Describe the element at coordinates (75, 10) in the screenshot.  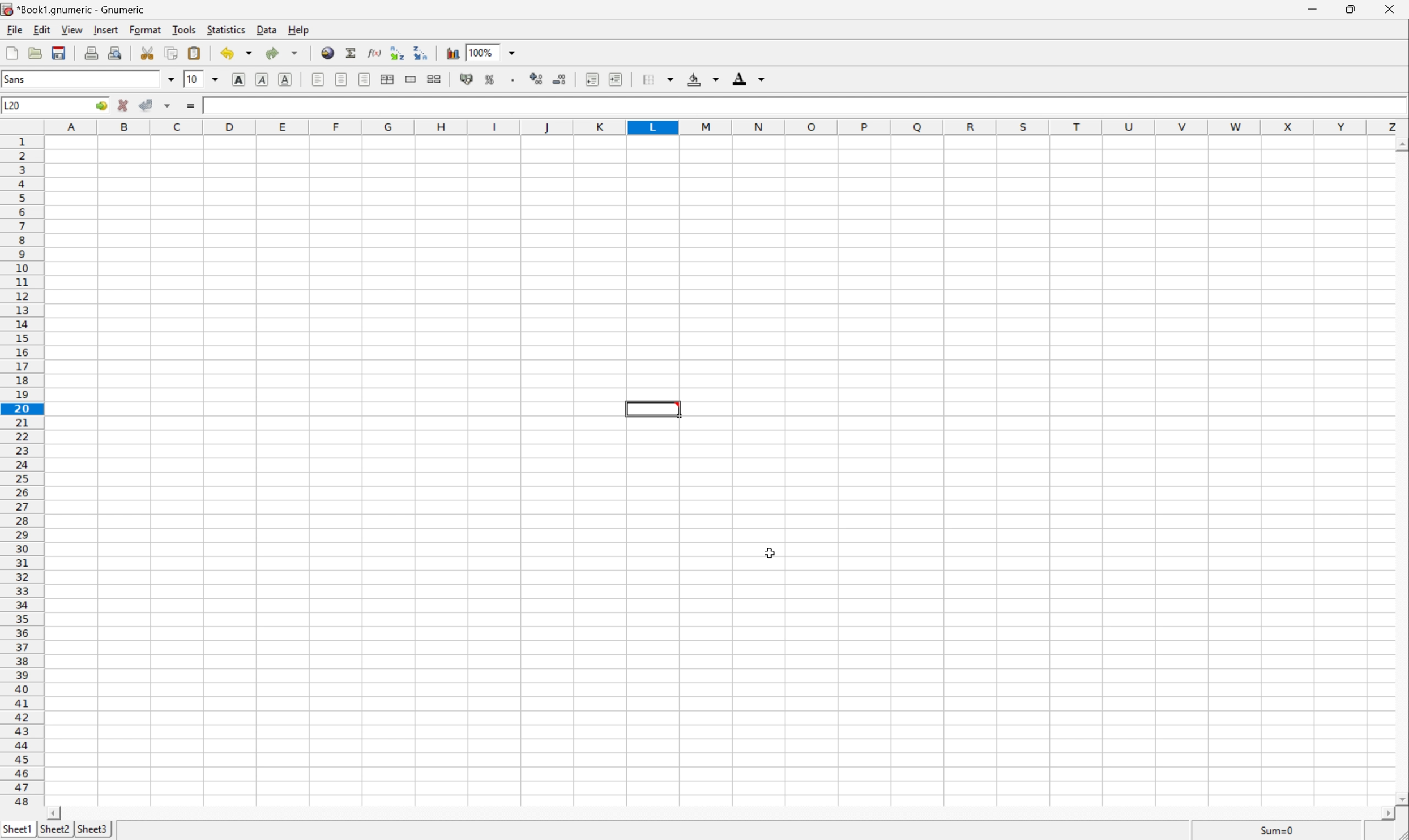
I see `*Book1.gnumeric - Gnumeric` at that location.